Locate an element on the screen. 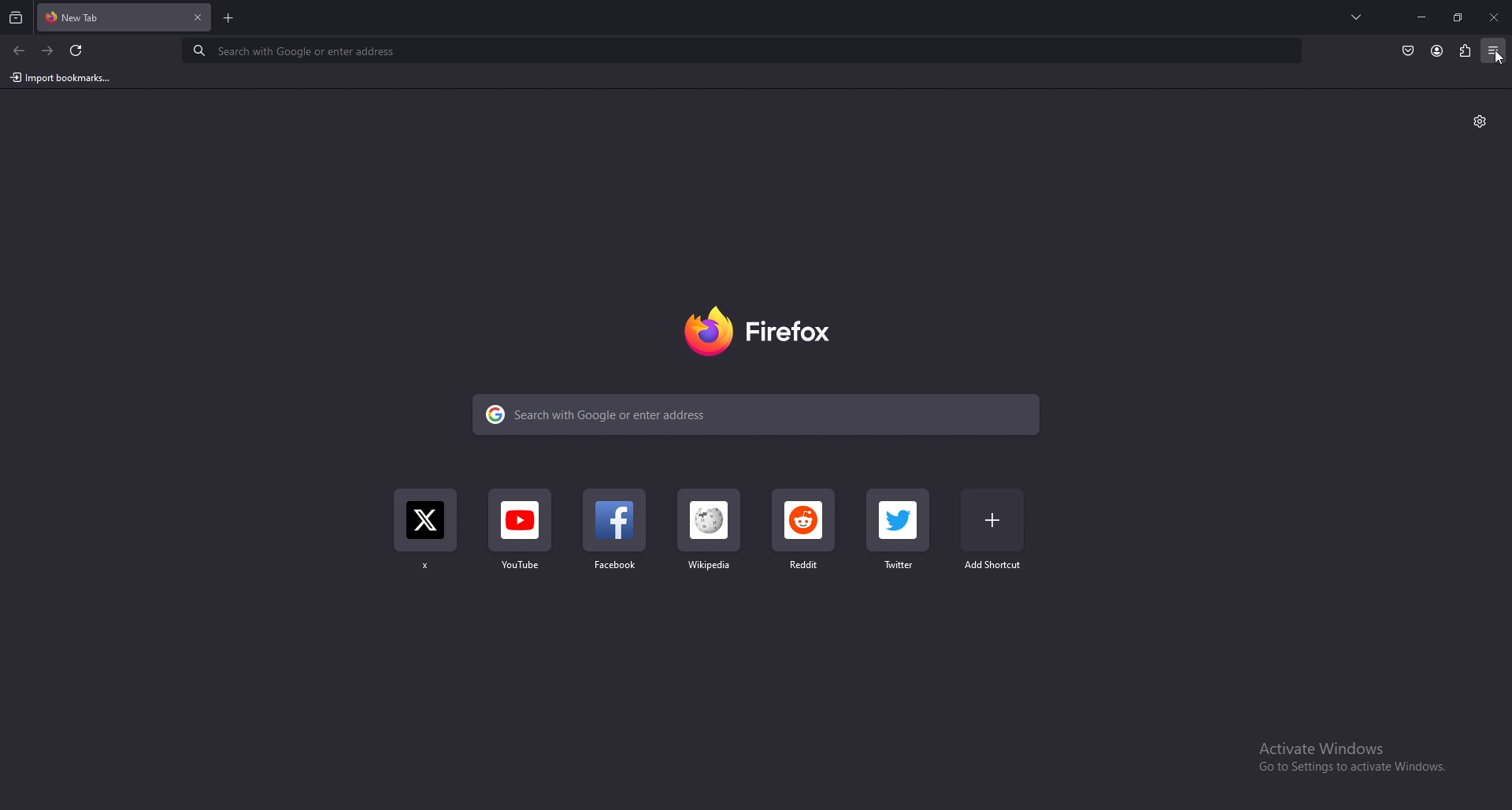 The width and height of the screenshot is (1512, 810). application menu is located at coordinates (1494, 49).